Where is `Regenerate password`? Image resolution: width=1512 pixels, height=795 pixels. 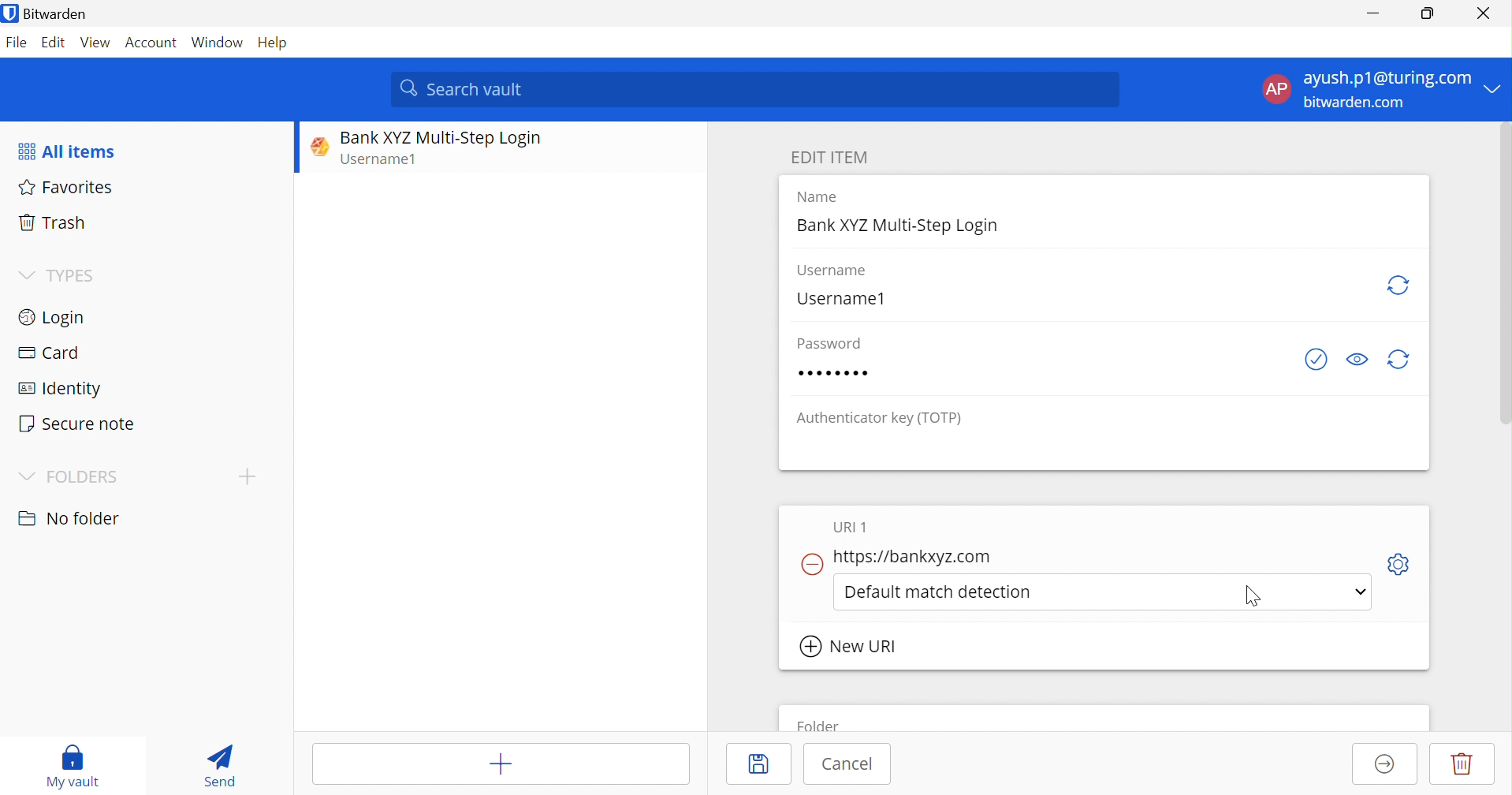
Regenerate password is located at coordinates (1402, 360).